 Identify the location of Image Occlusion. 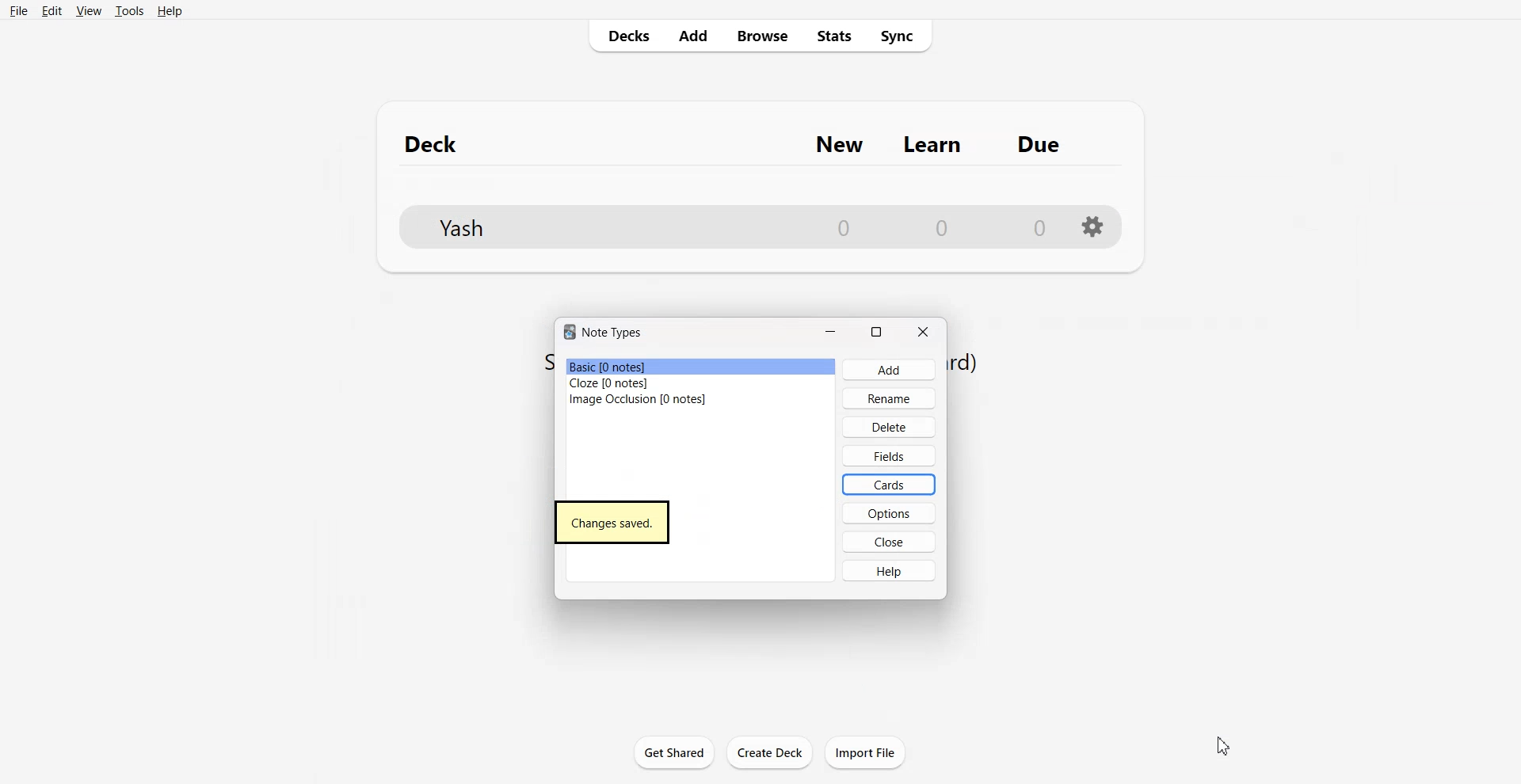
(700, 398).